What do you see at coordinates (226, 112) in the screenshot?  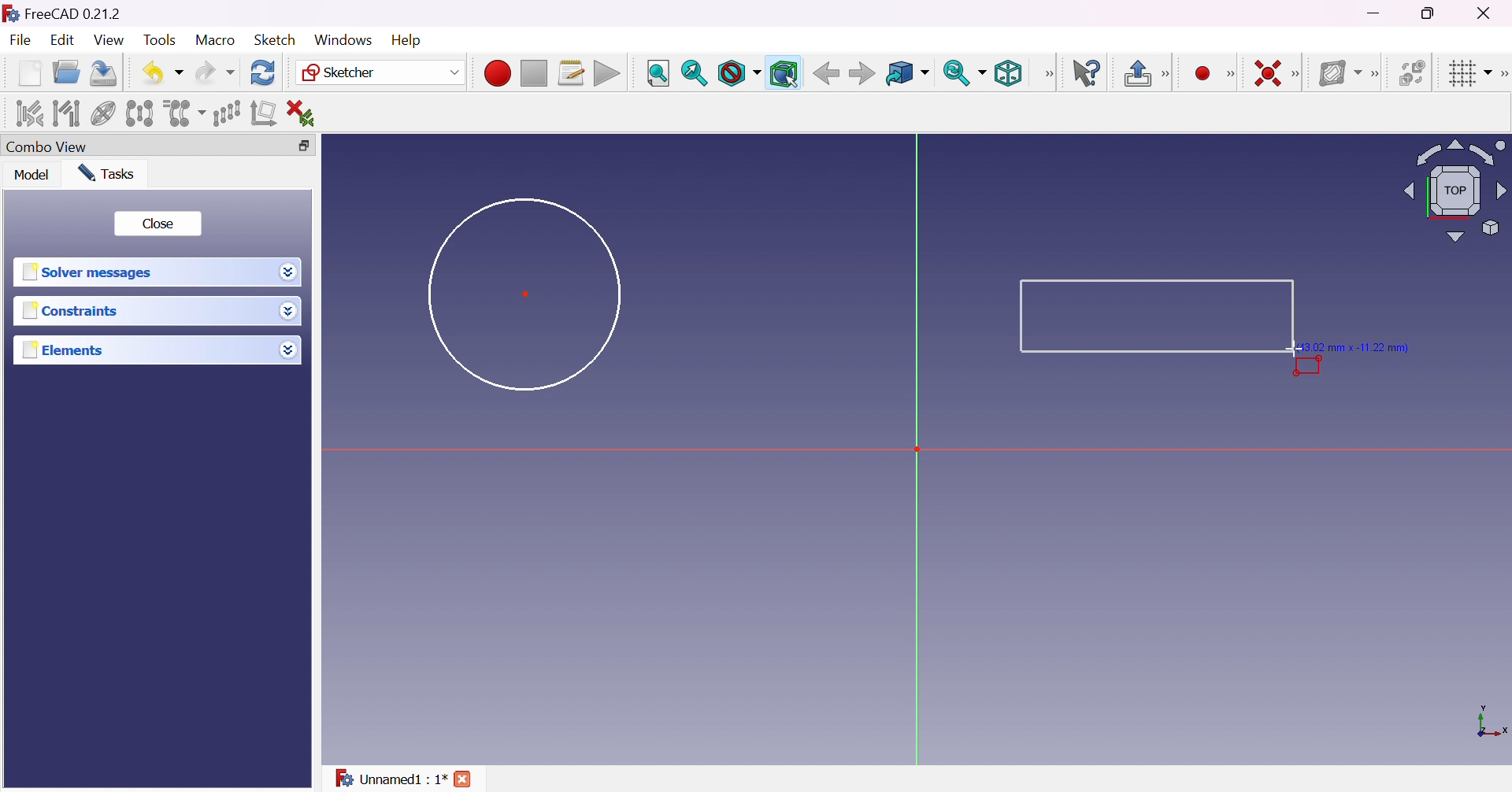 I see `Rectangular array` at bounding box center [226, 112].